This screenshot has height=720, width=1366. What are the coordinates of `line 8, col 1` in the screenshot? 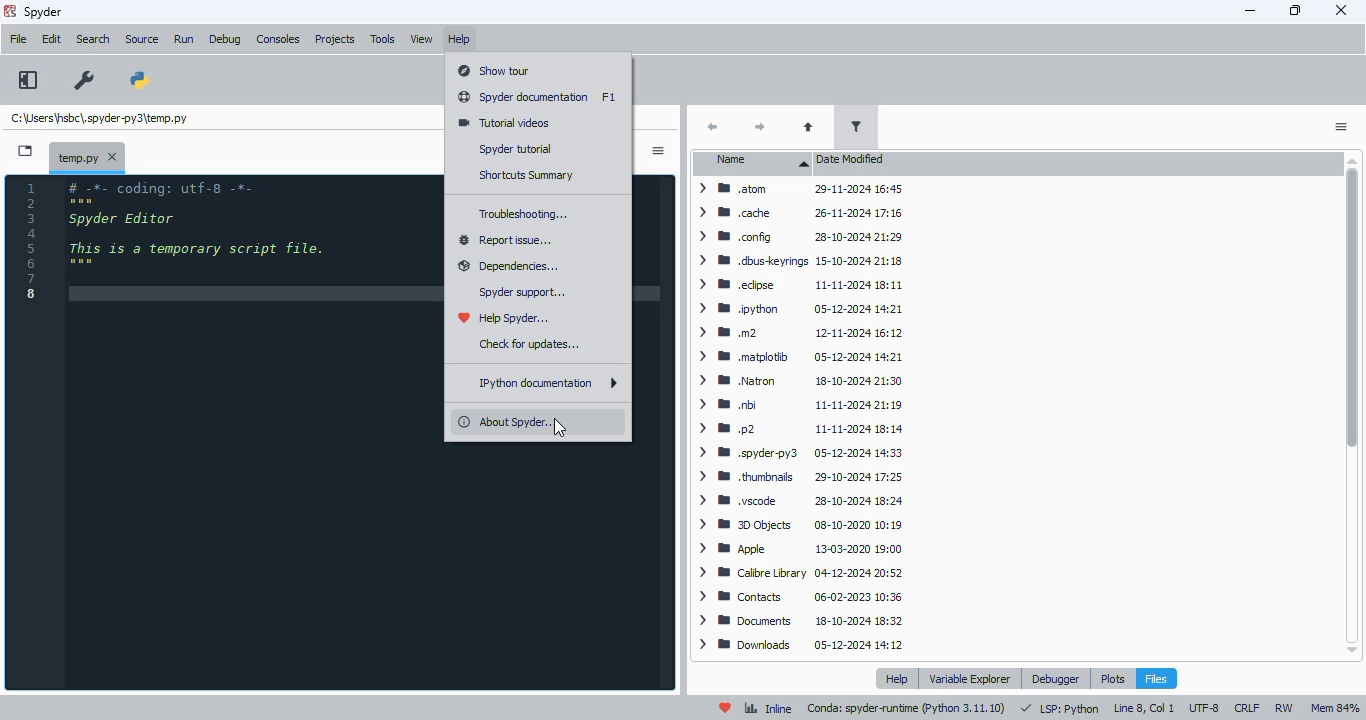 It's located at (1144, 707).